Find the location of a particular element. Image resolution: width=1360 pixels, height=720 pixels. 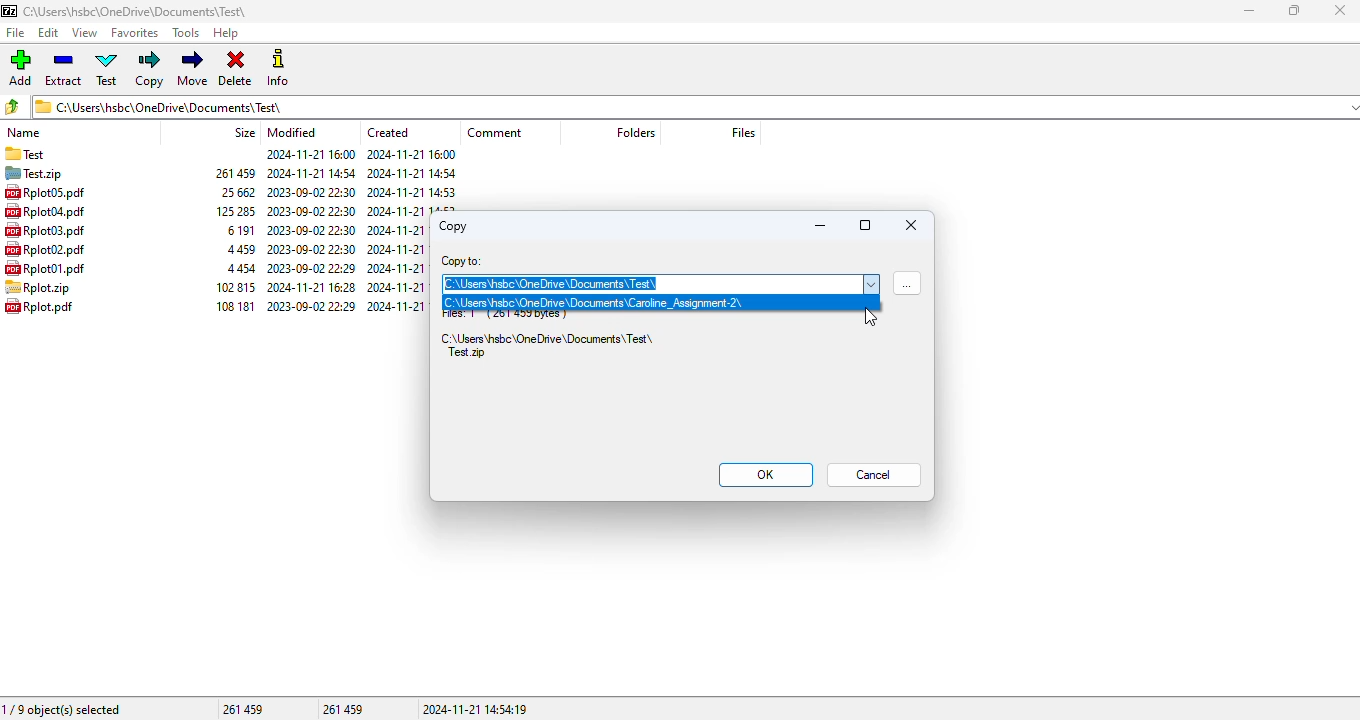

view is located at coordinates (86, 32).